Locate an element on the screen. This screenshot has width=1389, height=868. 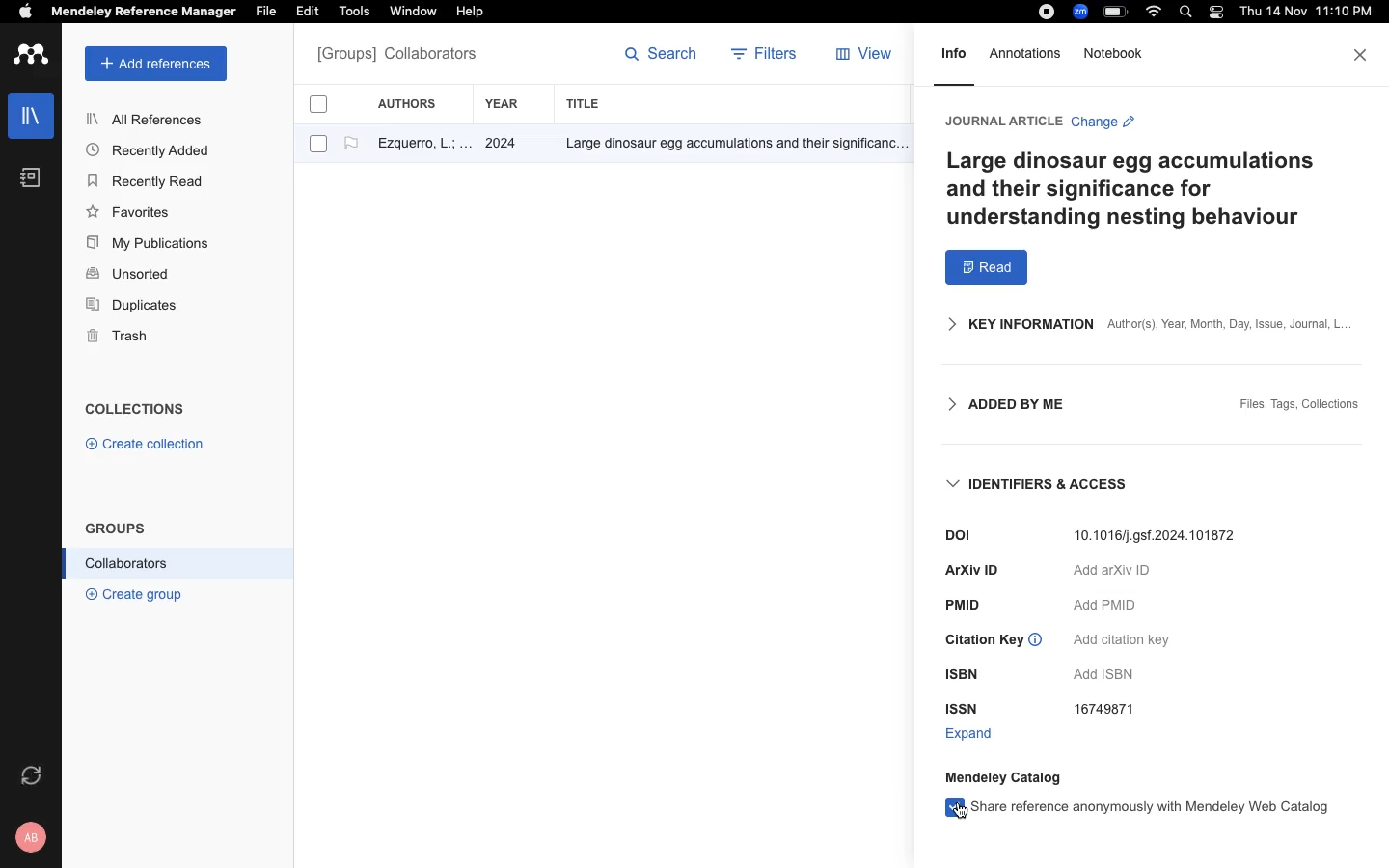
® Create group is located at coordinates (130, 593).